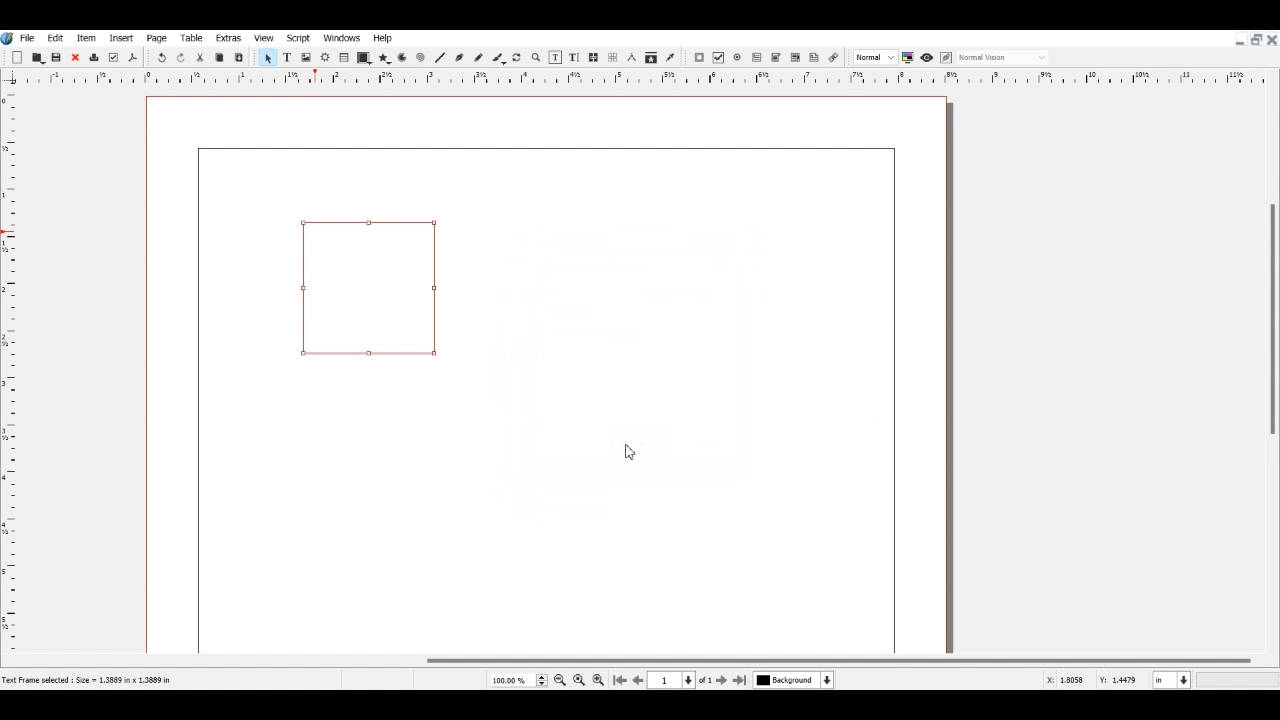 This screenshot has height=720, width=1280. Describe the element at coordinates (133, 58) in the screenshot. I see `Save as PDF` at that location.